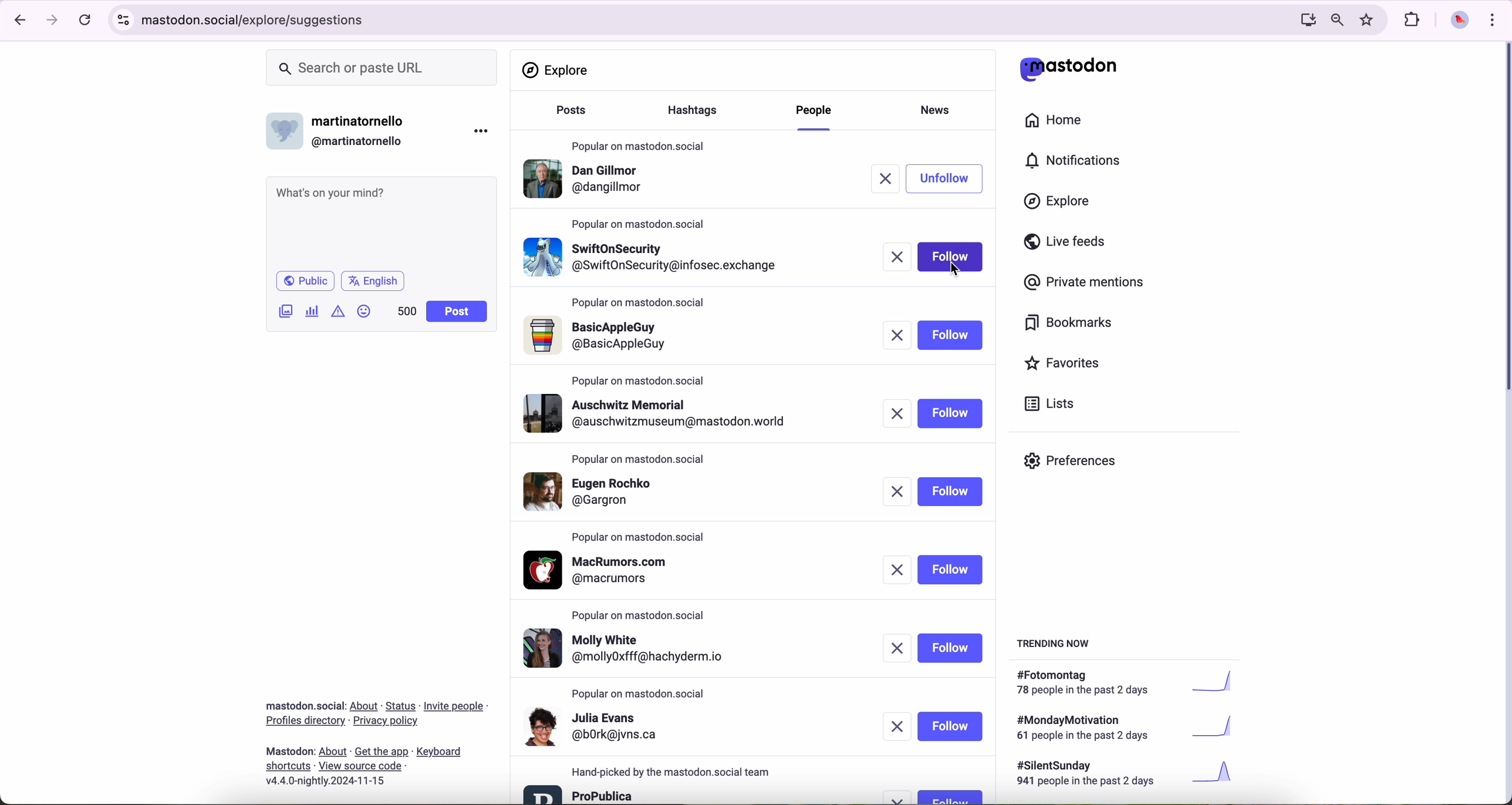 This screenshot has height=805, width=1512. Describe the element at coordinates (603, 490) in the screenshot. I see `profile` at that location.